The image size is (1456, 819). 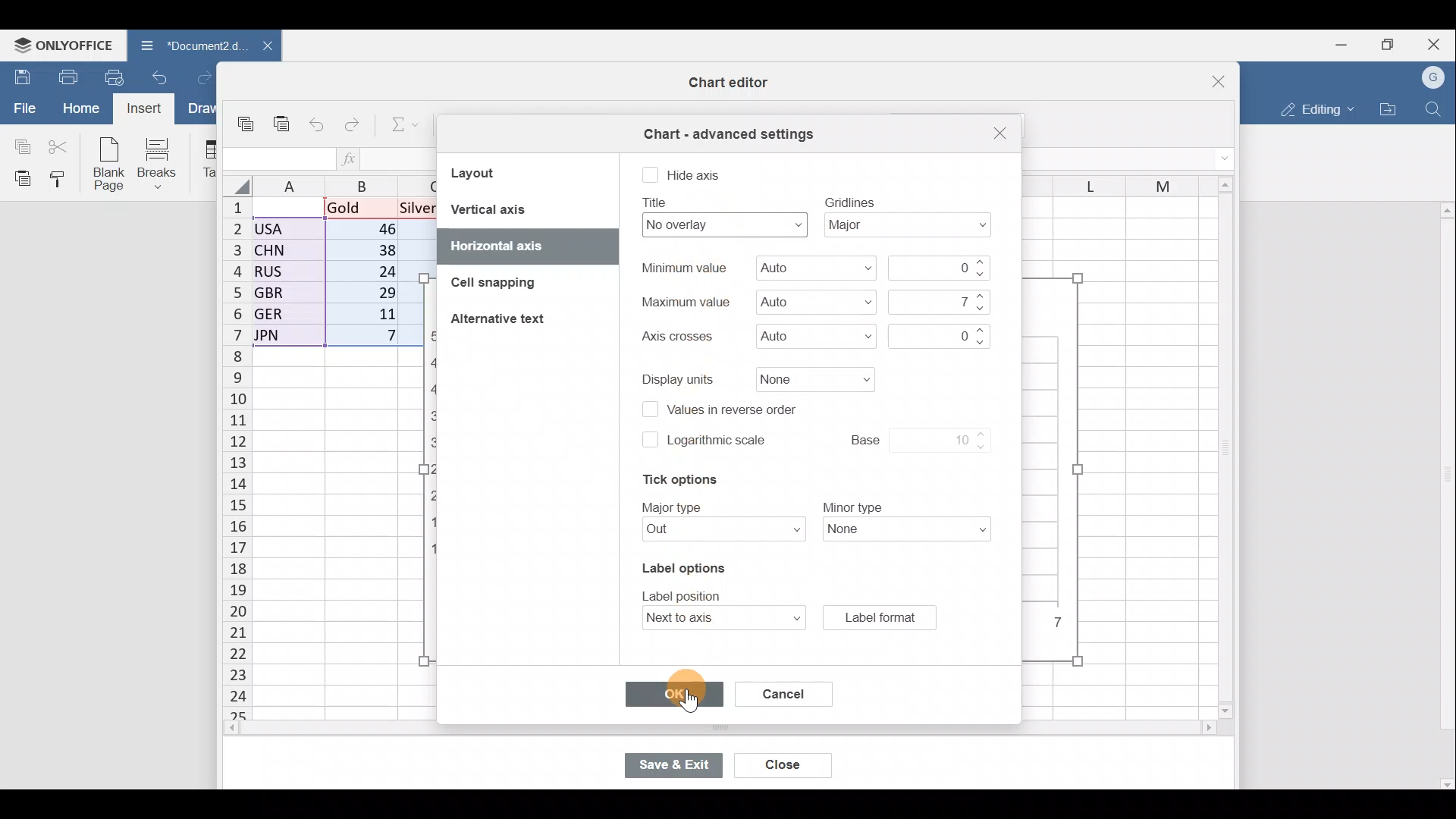 What do you see at coordinates (507, 245) in the screenshot?
I see `Horizontal axis` at bounding box center [507, 245].